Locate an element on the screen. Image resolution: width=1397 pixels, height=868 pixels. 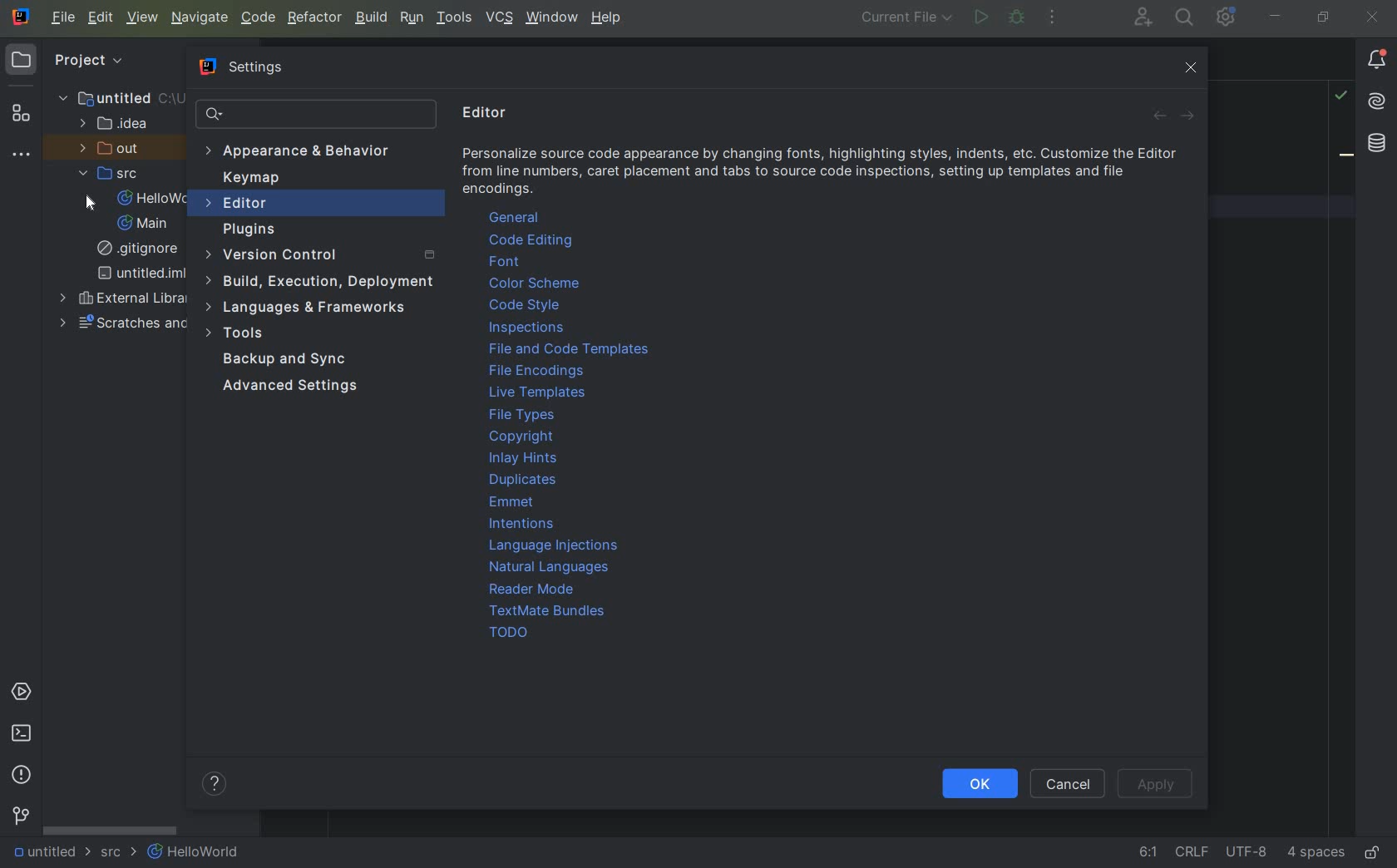
VIEW is located at coordinates (142, 18).